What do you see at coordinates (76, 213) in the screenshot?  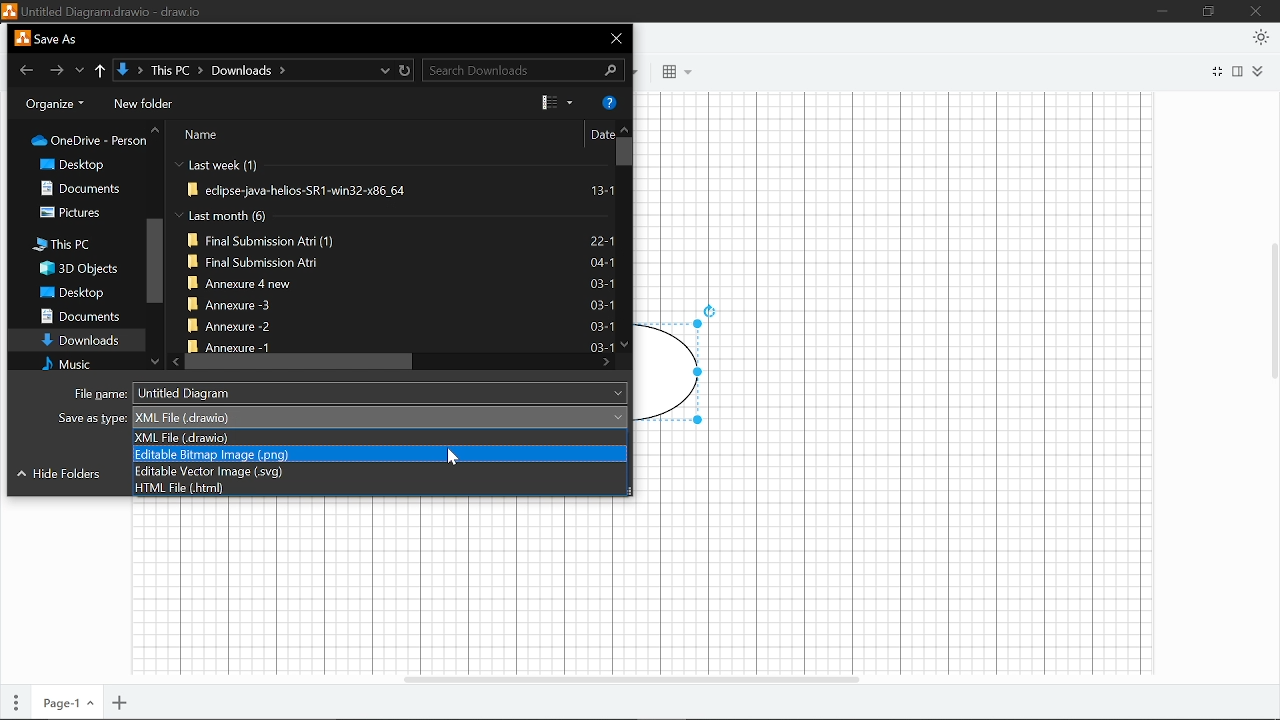 I see `Pictures` at bounding box center [76, 213].